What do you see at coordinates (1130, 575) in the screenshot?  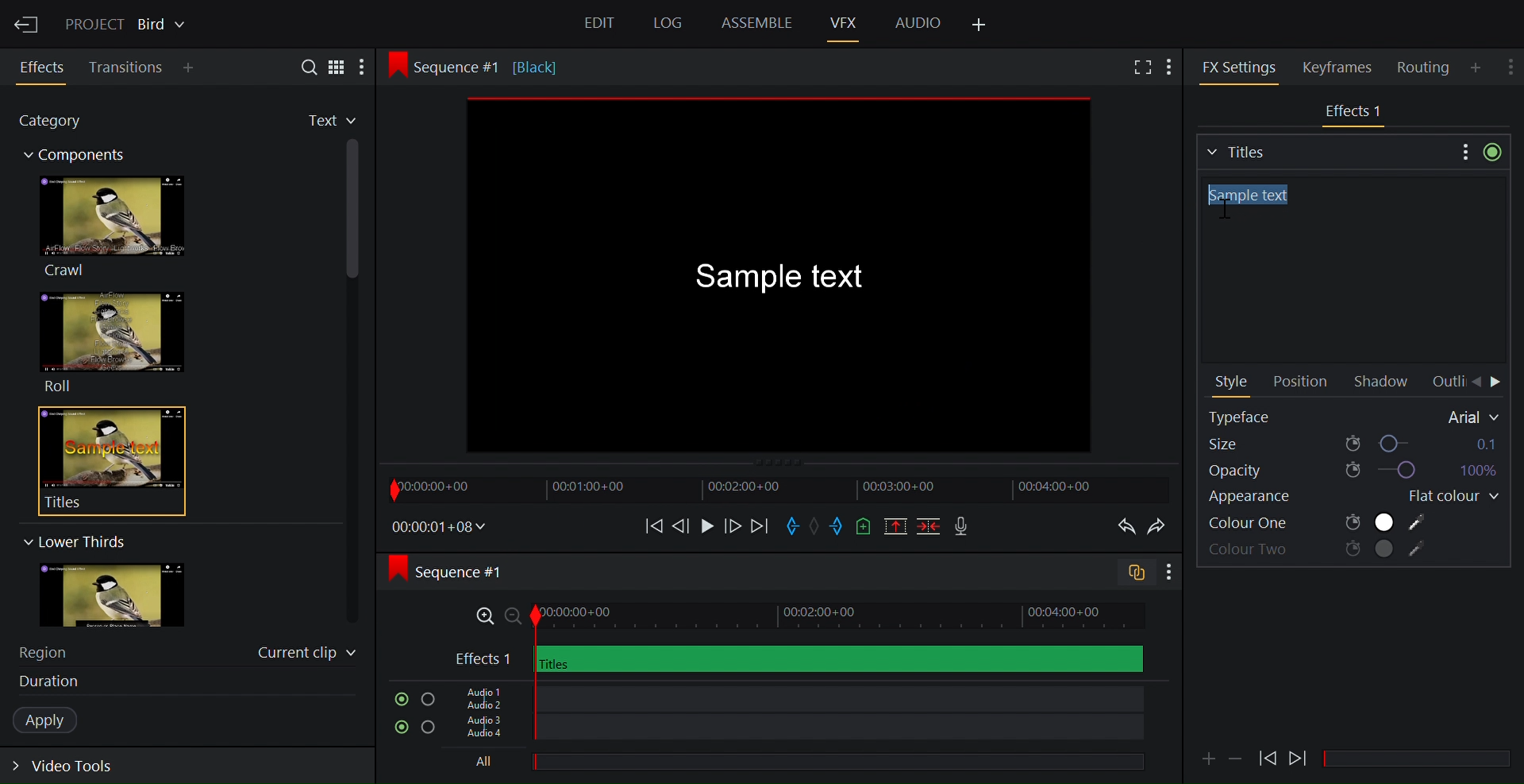 I see `Toggle audio trcak sync` at bounding box center [1130, 575].